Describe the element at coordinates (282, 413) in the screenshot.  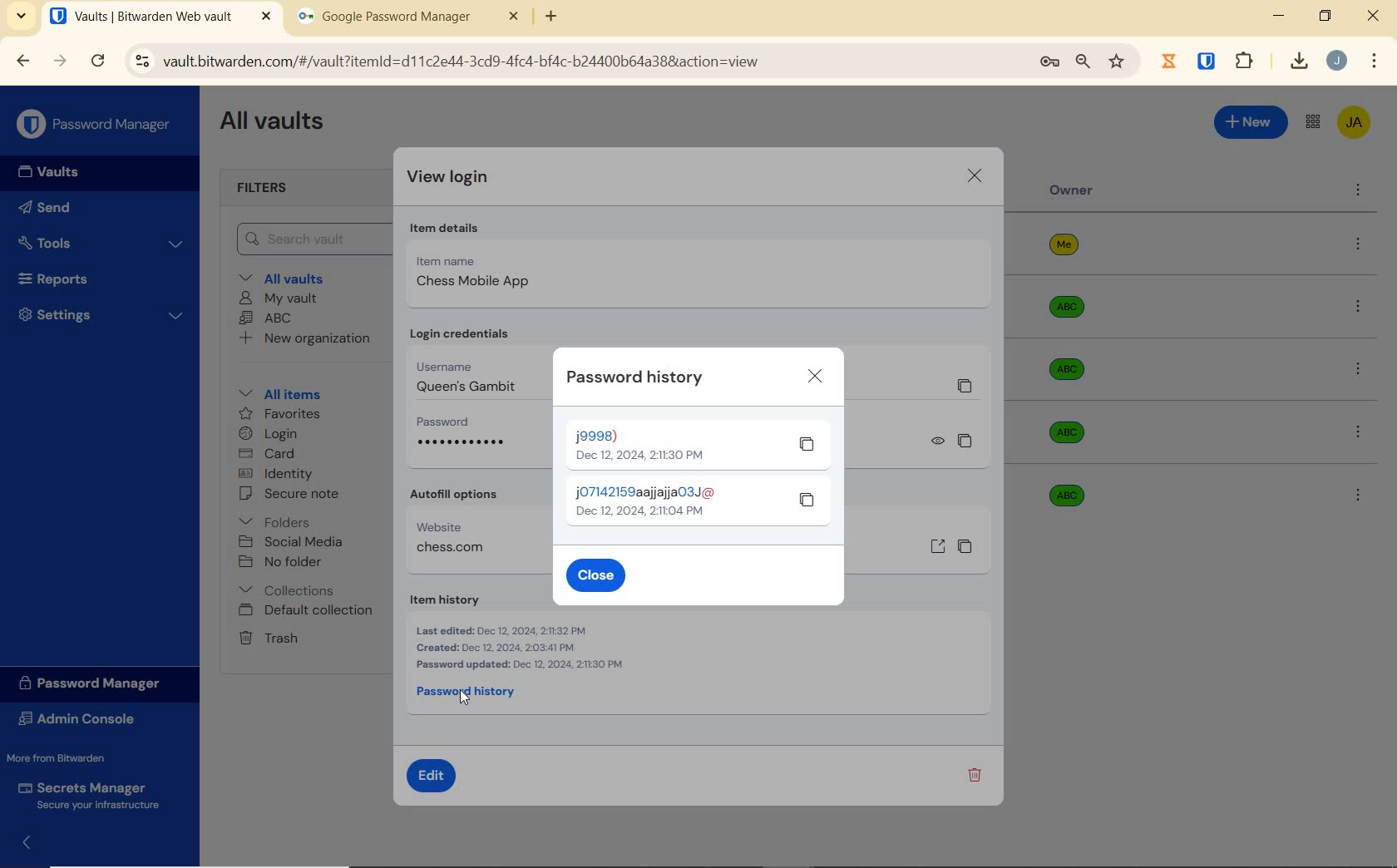
I see `favorites` at that location.